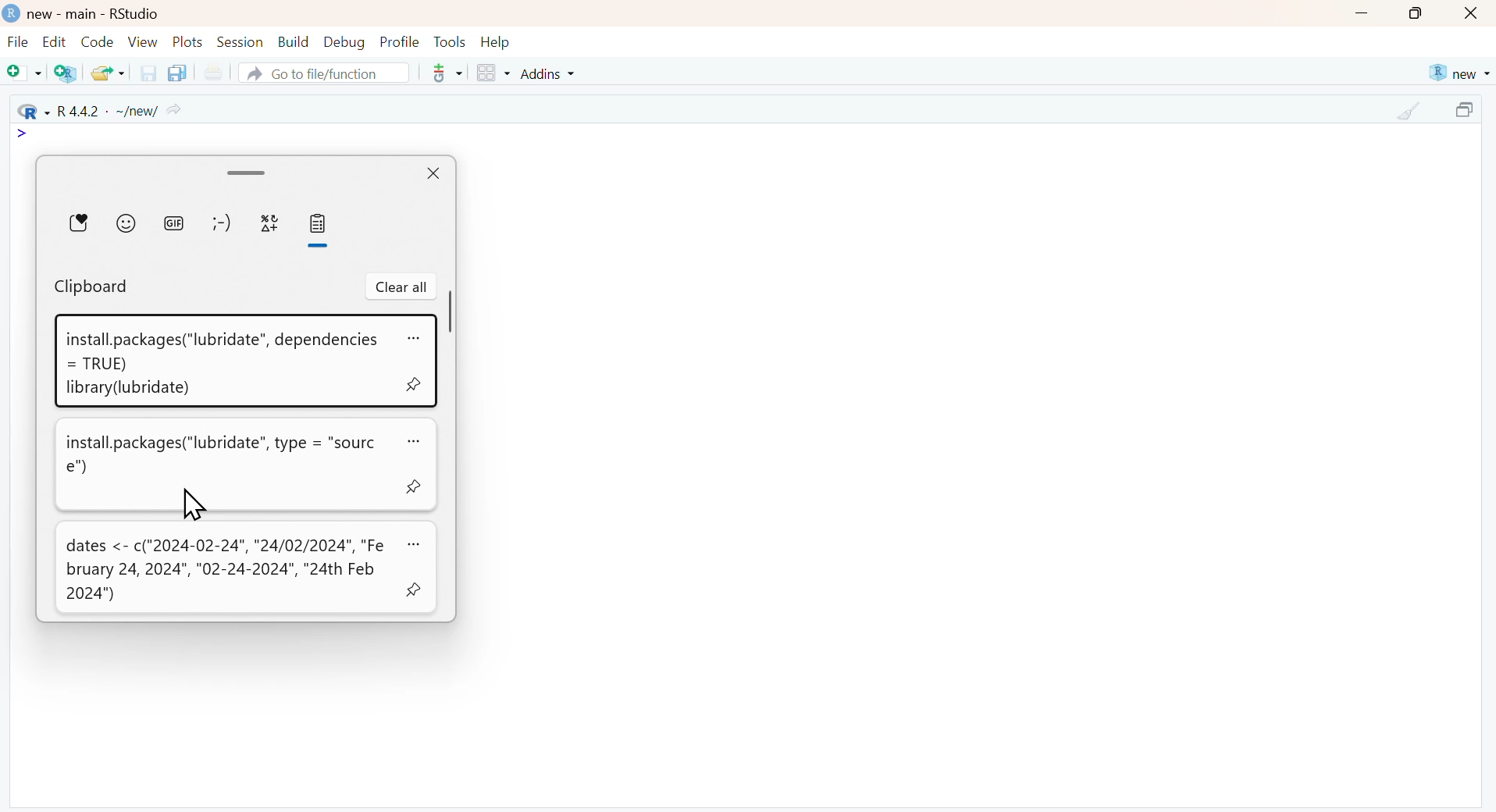 This screenshot has width=1496, height=812. I want to click on more options, so click(442, 73).